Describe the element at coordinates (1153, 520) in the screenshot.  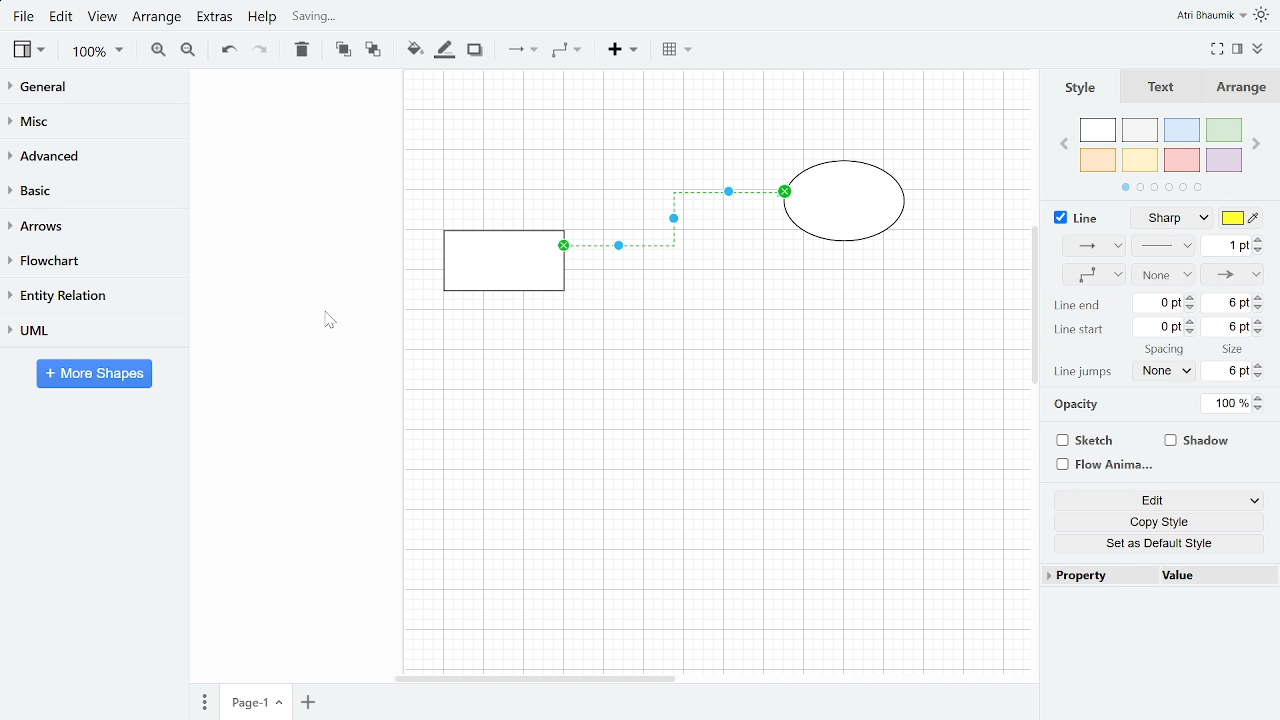
I see `Copy style` at that location.